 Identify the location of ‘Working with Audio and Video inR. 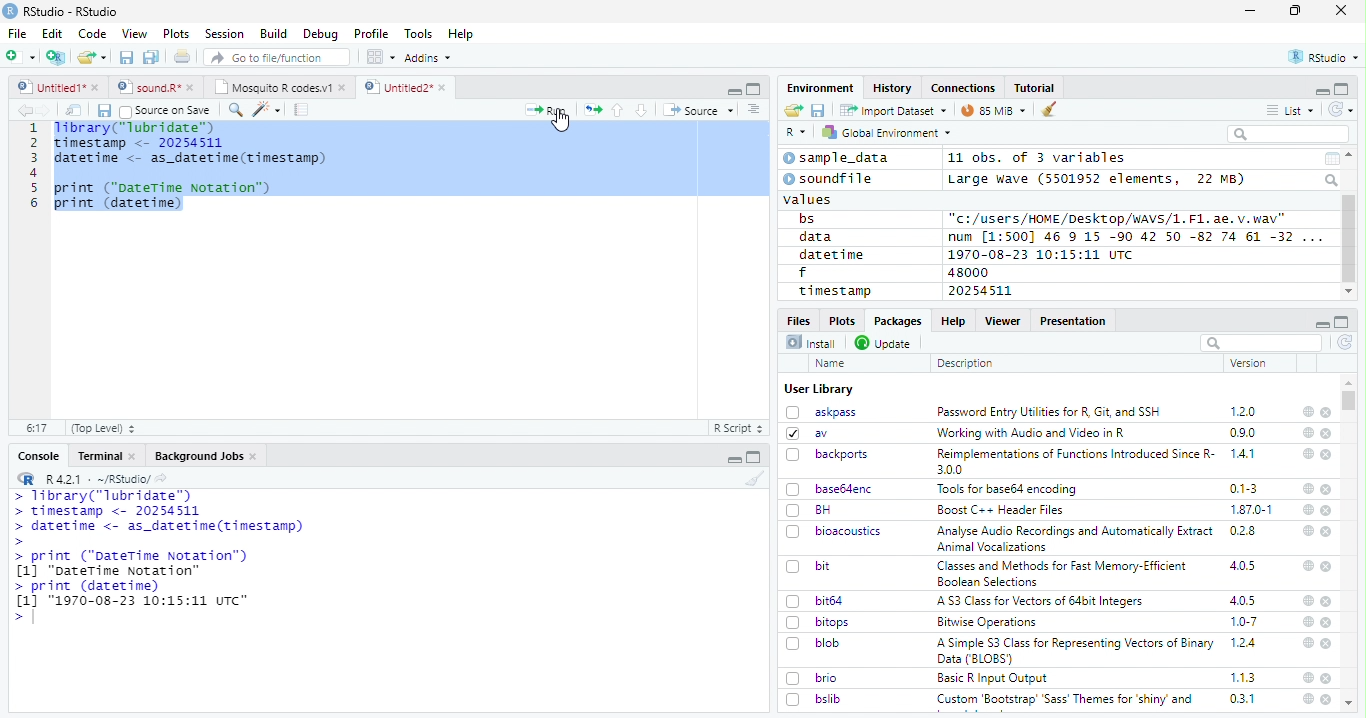
(1033, 433).